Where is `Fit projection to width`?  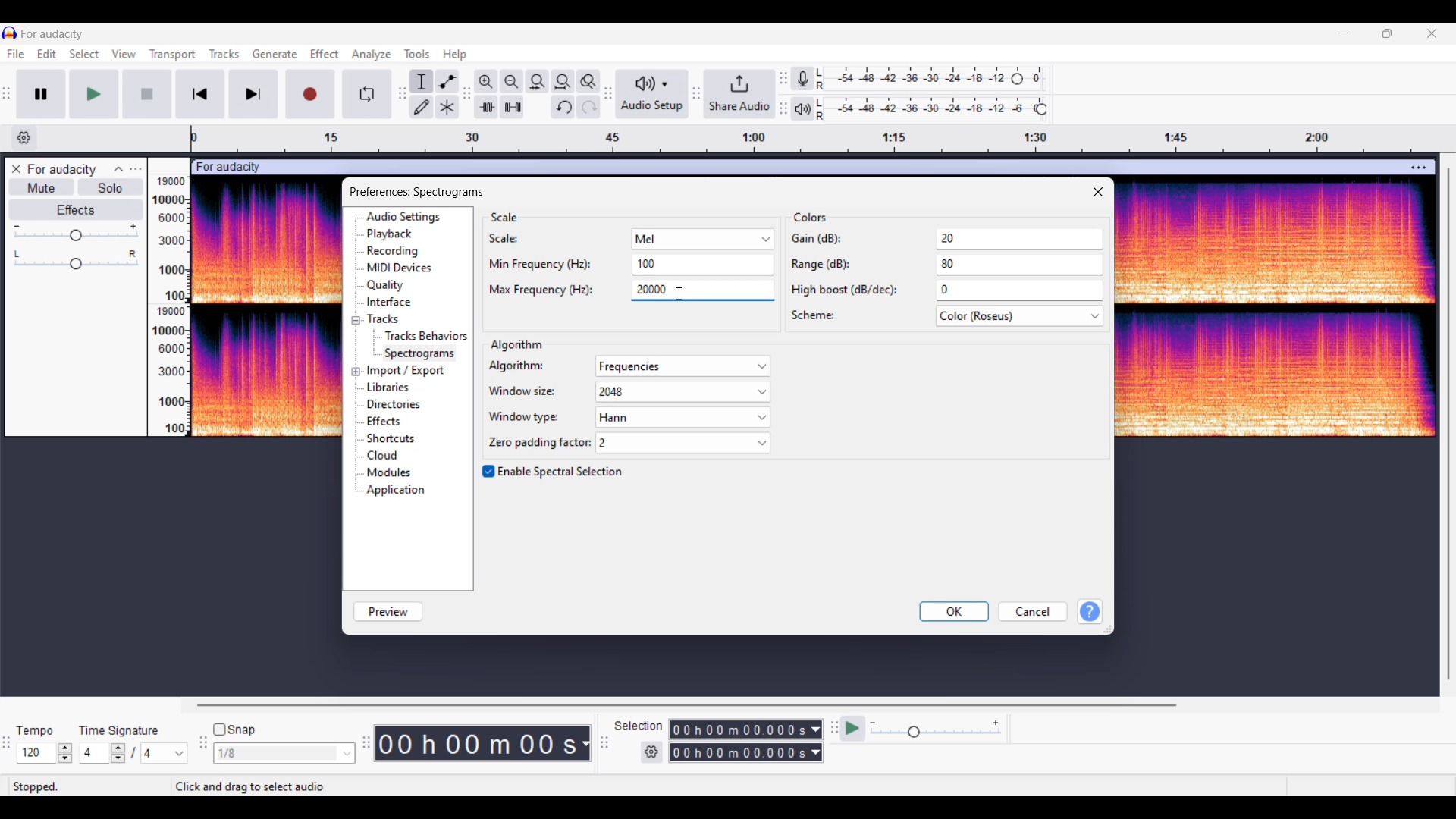 Fit projection to width is located at coordinates (563, 82).